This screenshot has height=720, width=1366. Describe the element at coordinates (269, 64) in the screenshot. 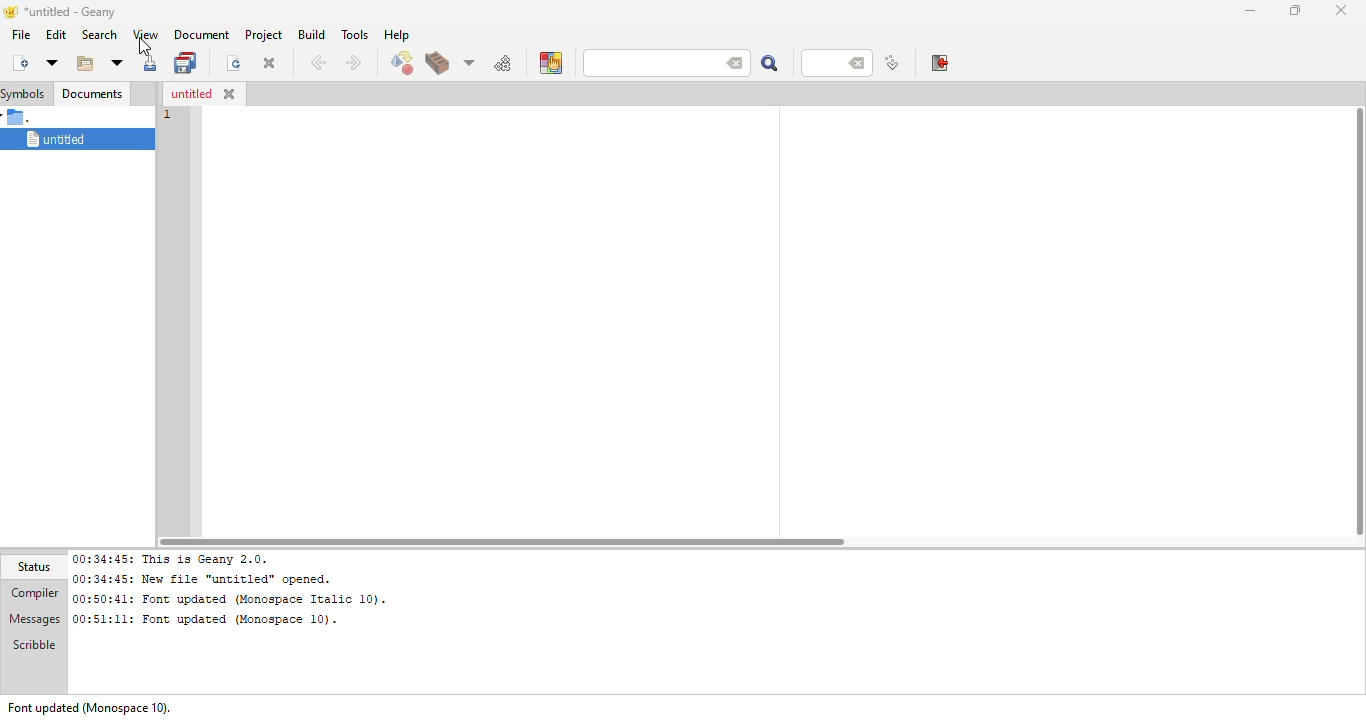

I see `close` at that location.